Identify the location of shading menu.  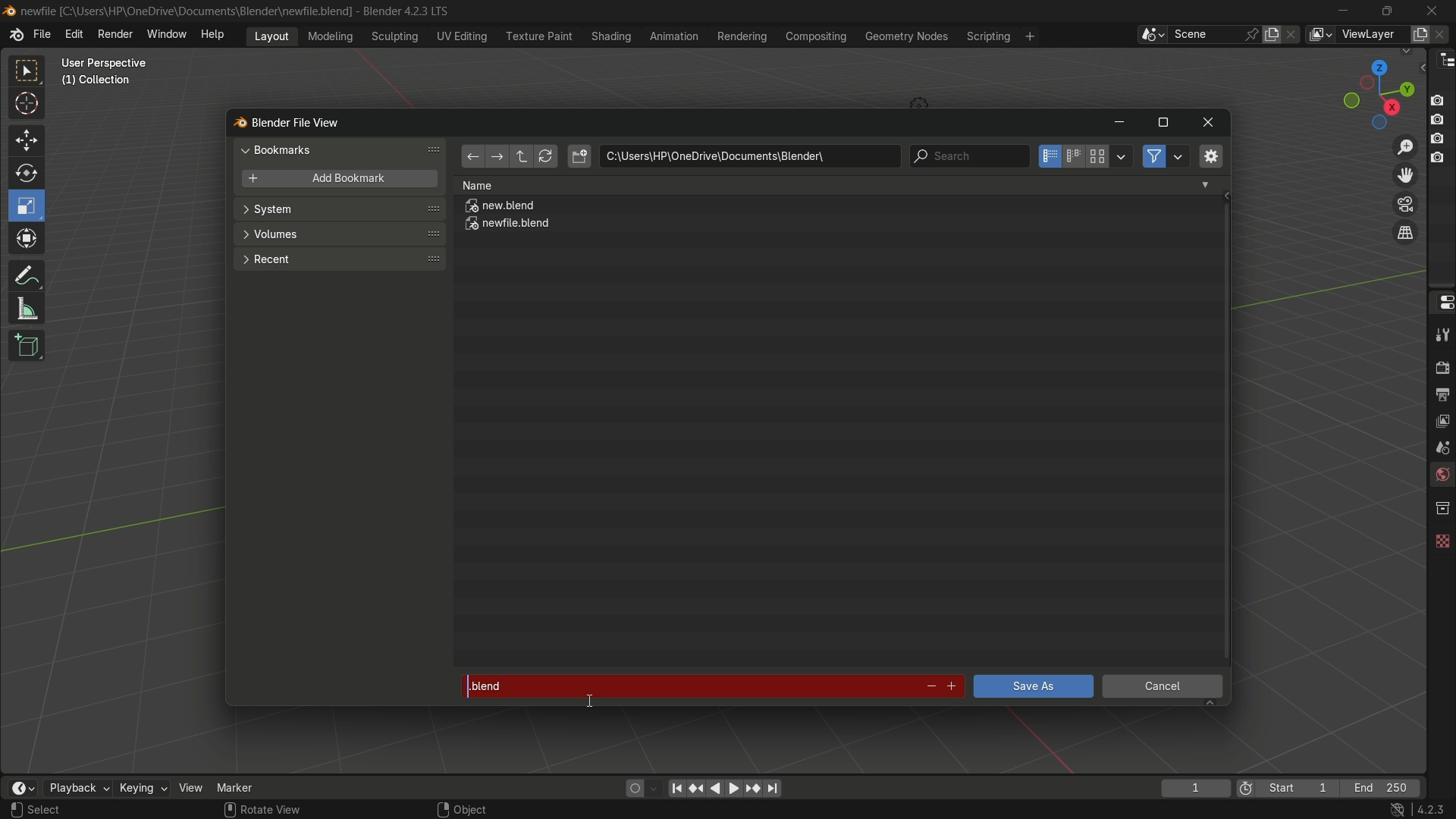
(609, 36).